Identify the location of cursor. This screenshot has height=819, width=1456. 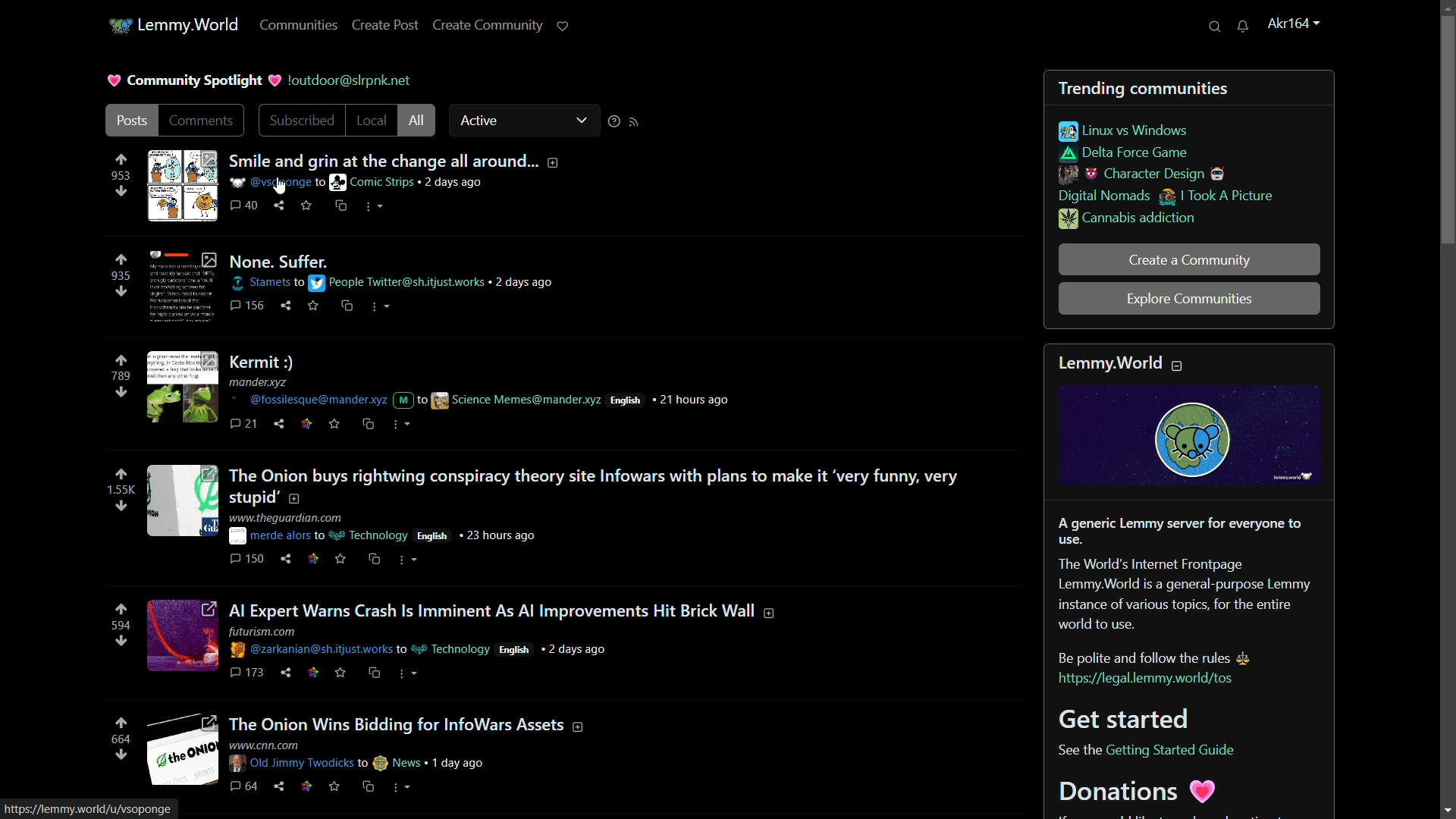
(284, 187).